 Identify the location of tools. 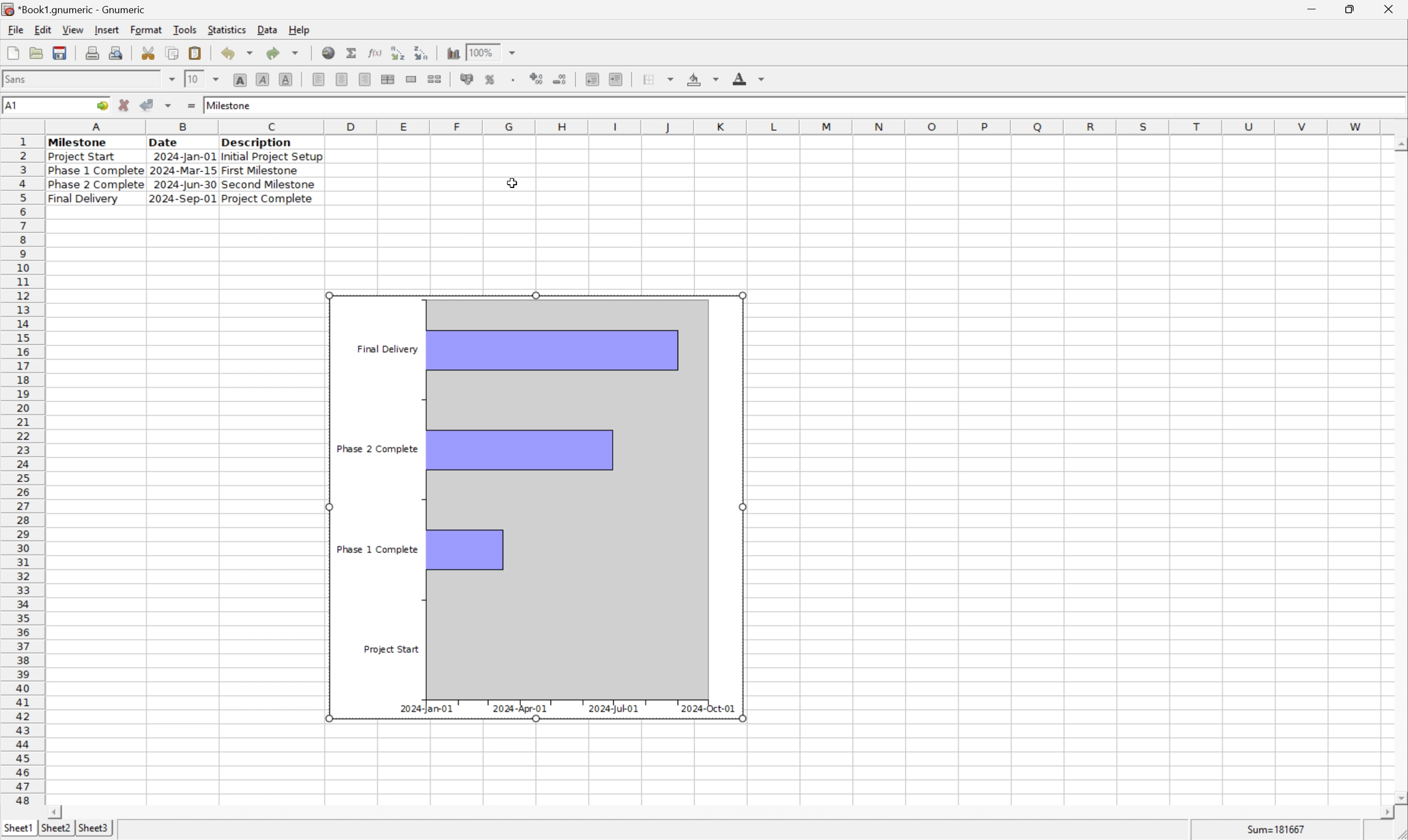
(186, 29).